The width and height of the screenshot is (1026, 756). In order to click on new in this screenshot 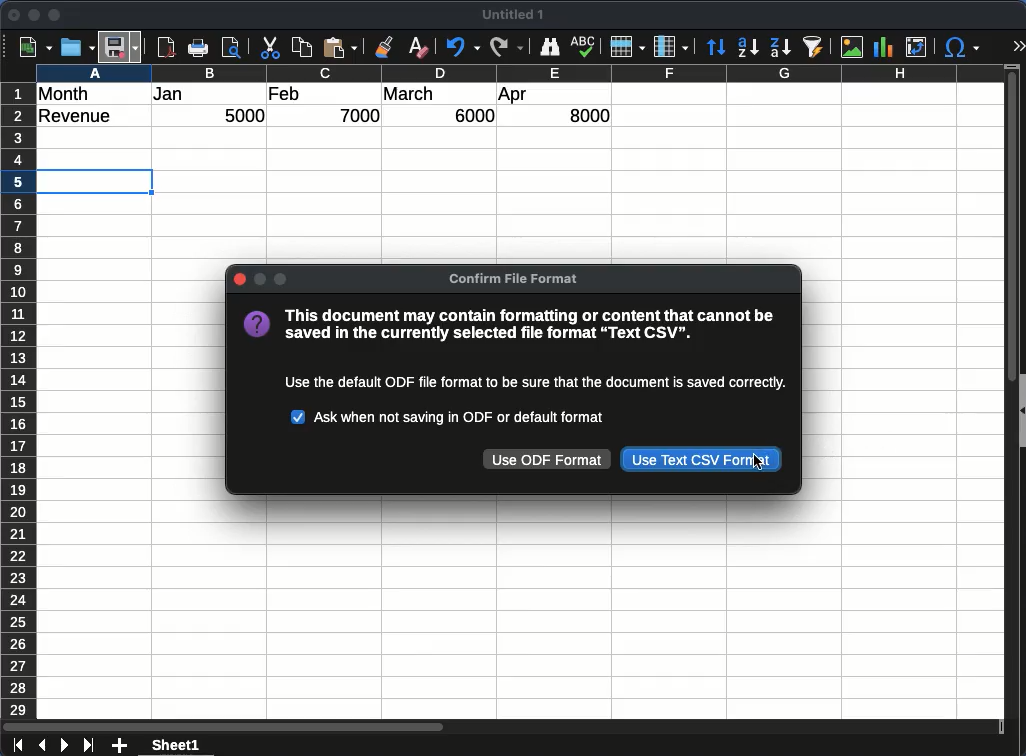, I will do `click(33, 47)`.